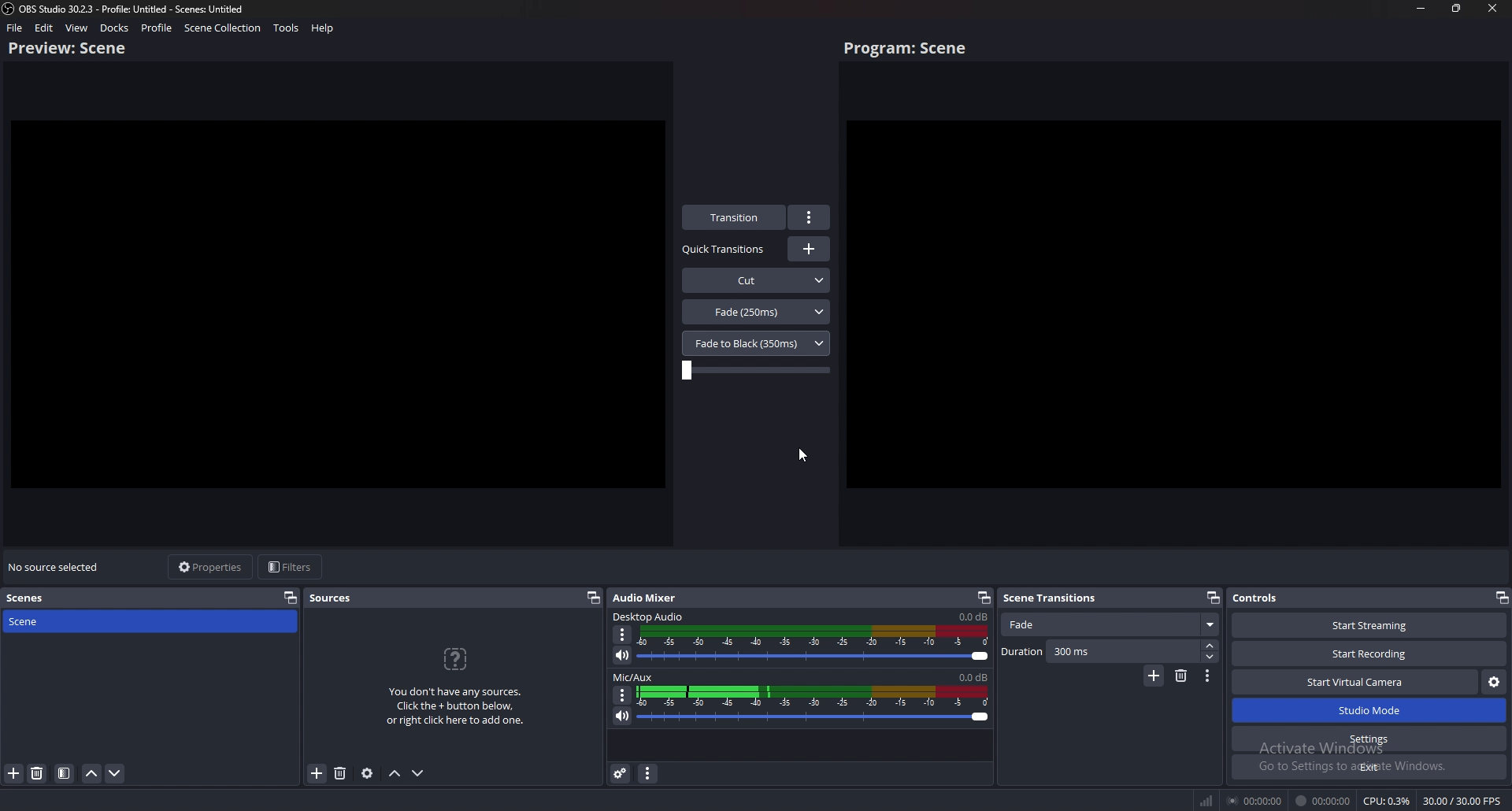 The height and width of the screenshot is (811, 1512). I want to click on filter, so click(65, 774).